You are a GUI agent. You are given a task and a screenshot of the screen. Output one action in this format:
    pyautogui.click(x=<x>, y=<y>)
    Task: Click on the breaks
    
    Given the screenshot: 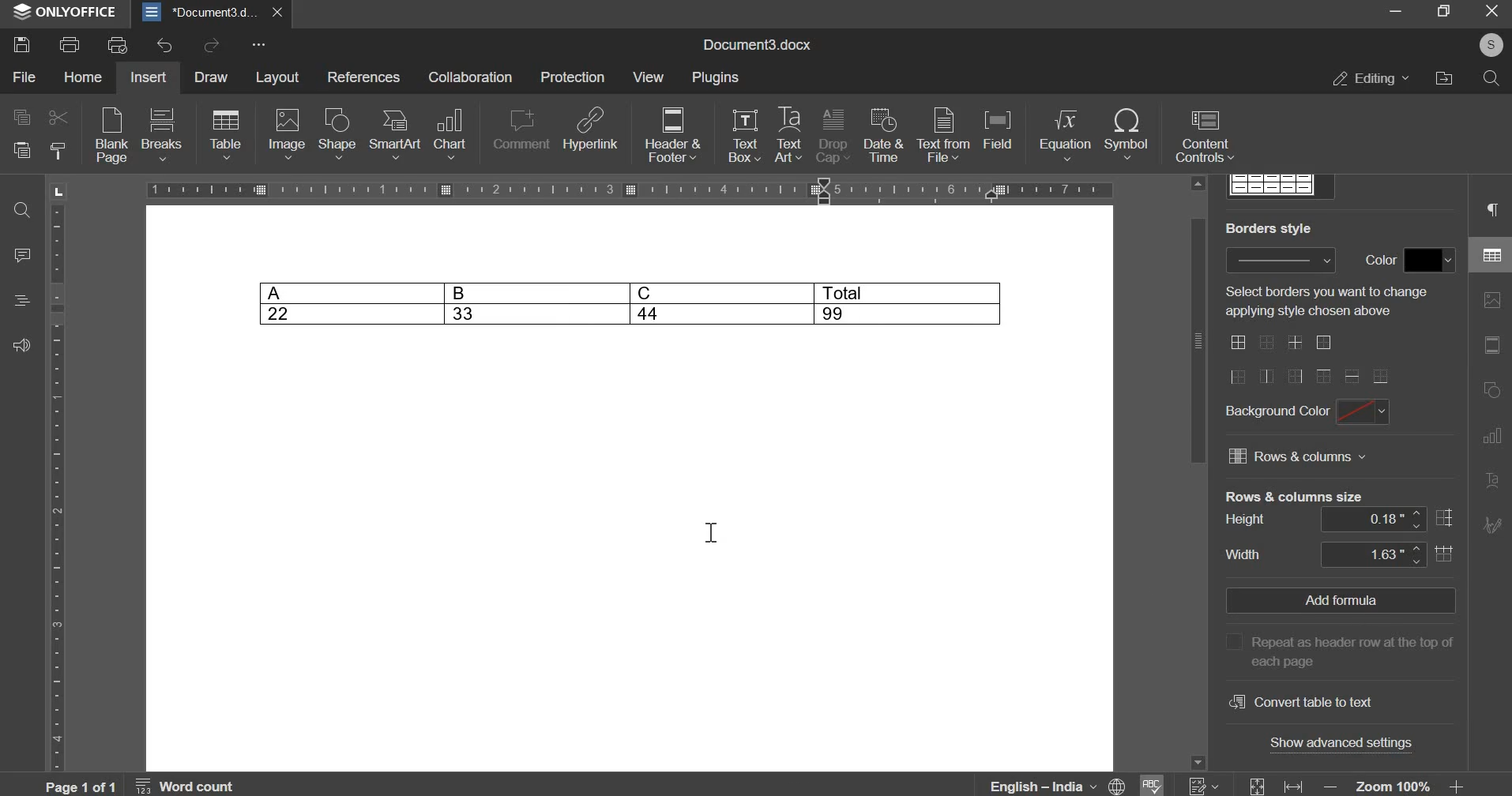 What is the action you would take?
    pyautogui.click(x=161, y=133)
    